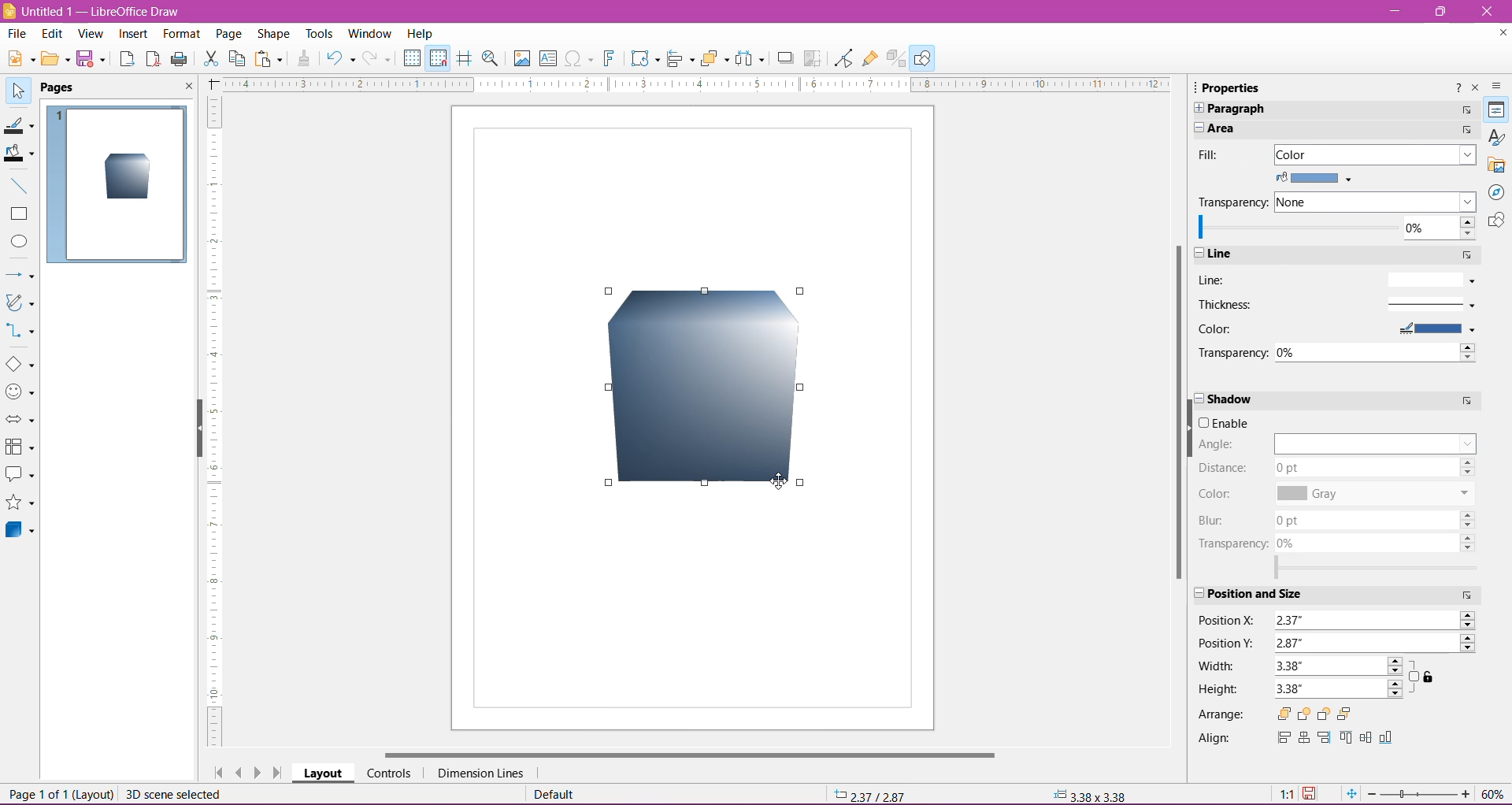  What do you see at coordinates (20, 364) in the screenshot?
I see `Basic Shapes` at bounding box center [20, 364].